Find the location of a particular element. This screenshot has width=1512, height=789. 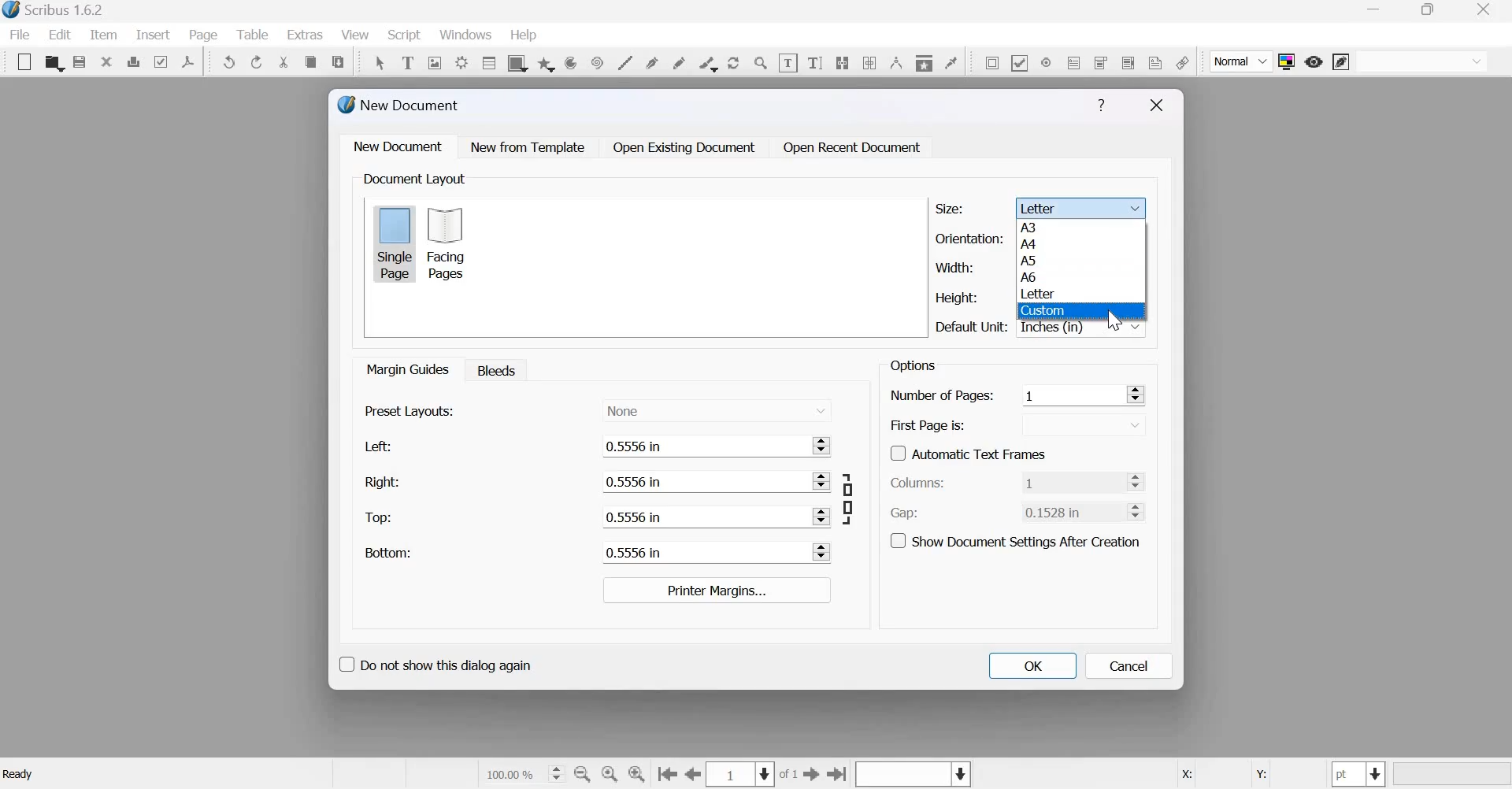

save is located at coordinates (80, 62).